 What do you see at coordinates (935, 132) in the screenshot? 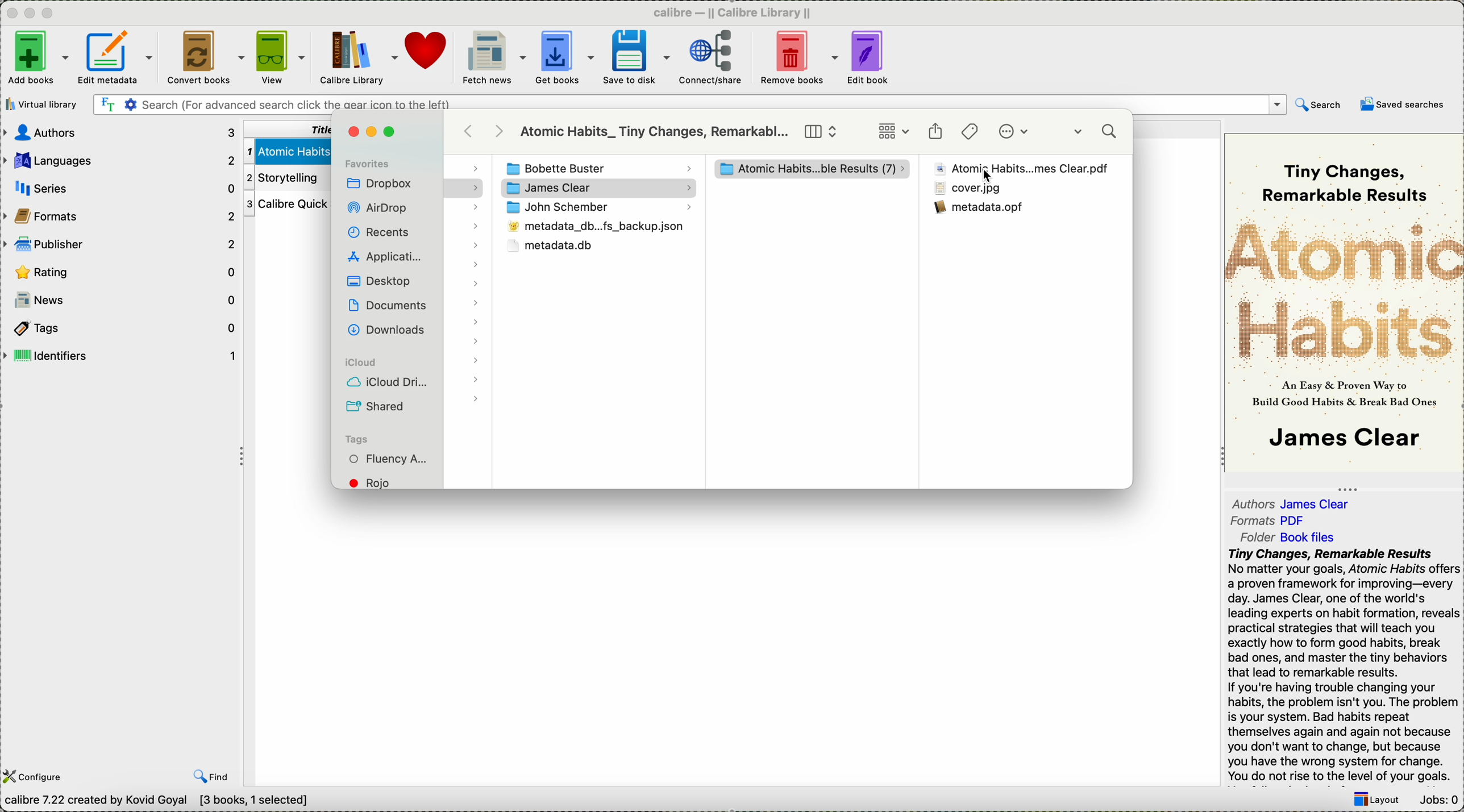
I see `share` at bounding box center [935, 132].